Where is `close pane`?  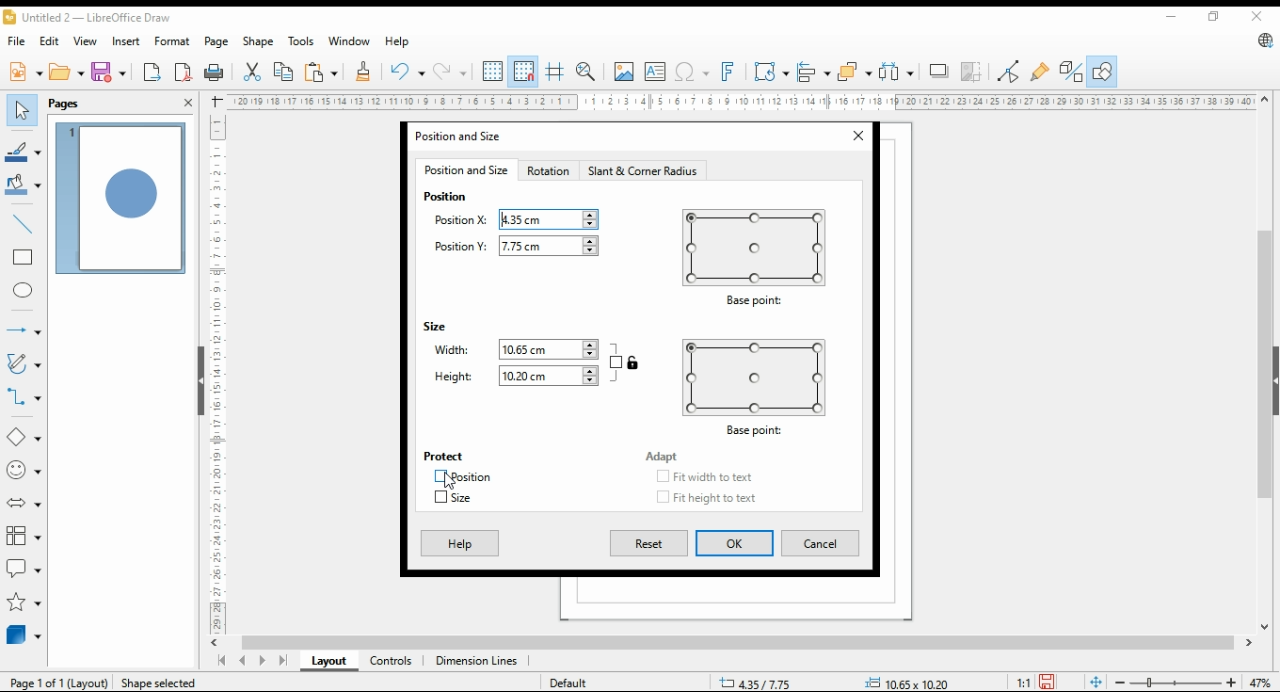
close pane is located at coordinates (188, 102).